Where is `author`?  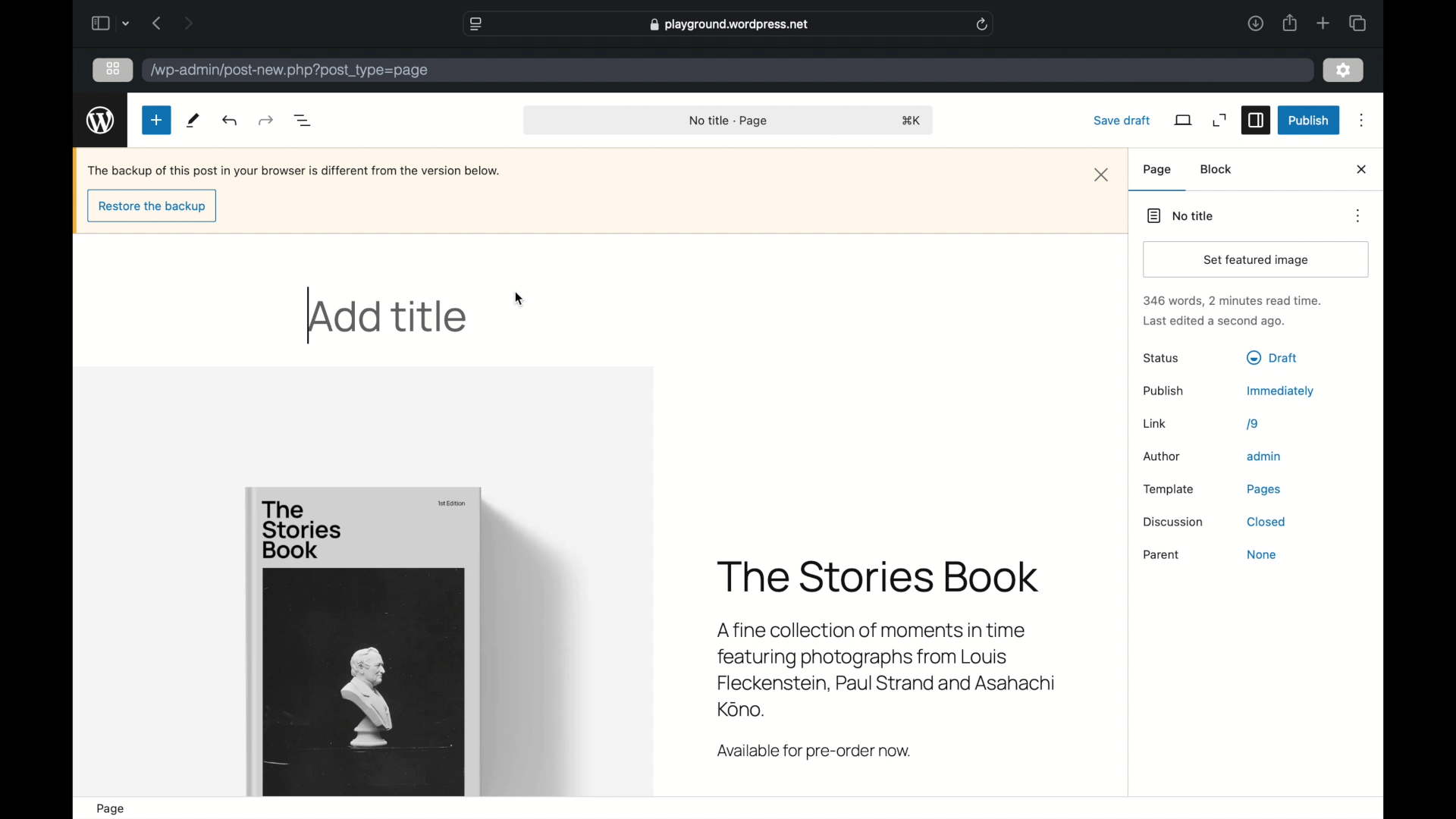 author is located at coordinates (1163, 457).